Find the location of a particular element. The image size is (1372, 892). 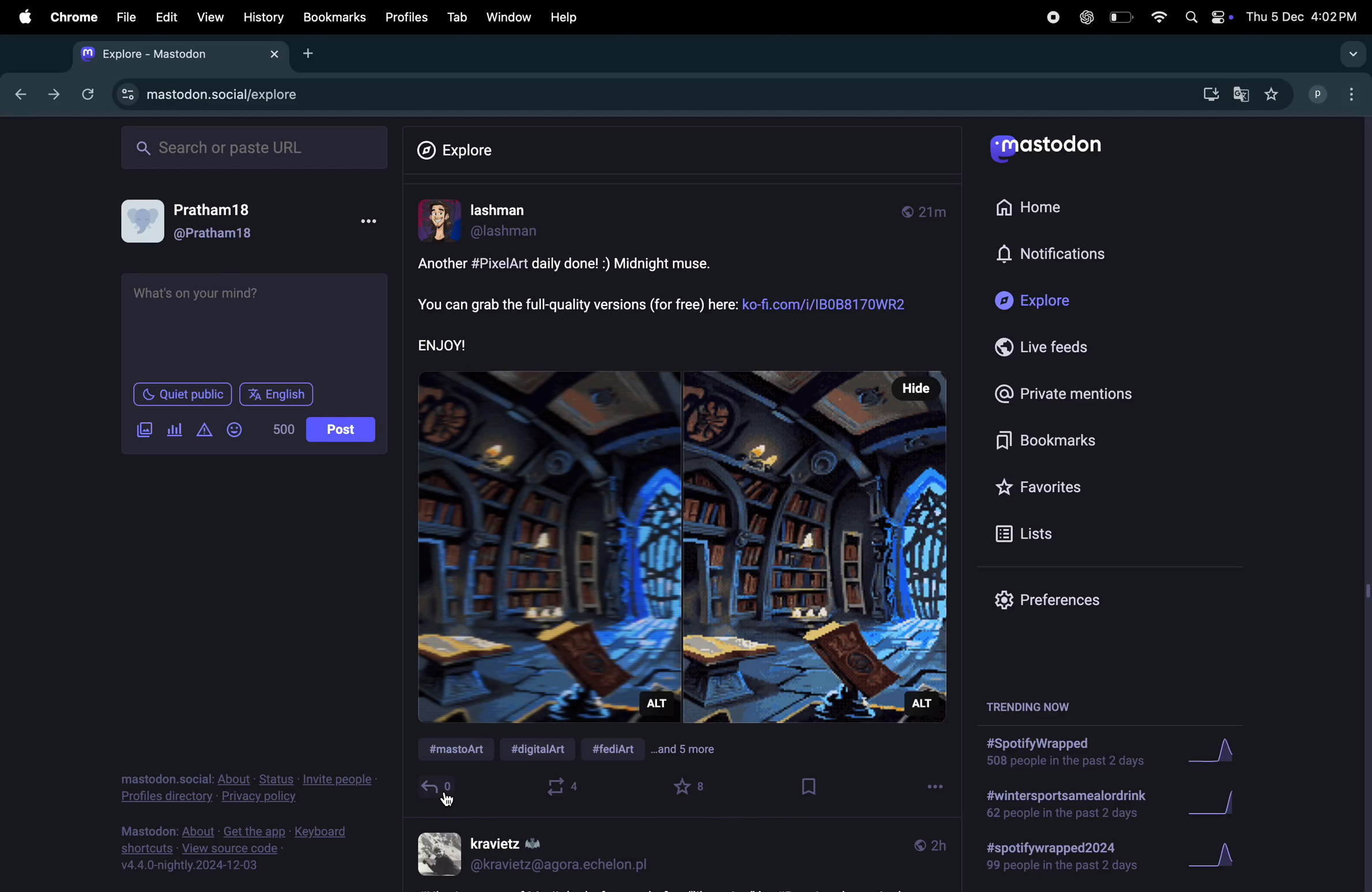

time line is located at coordinates (926, 845).